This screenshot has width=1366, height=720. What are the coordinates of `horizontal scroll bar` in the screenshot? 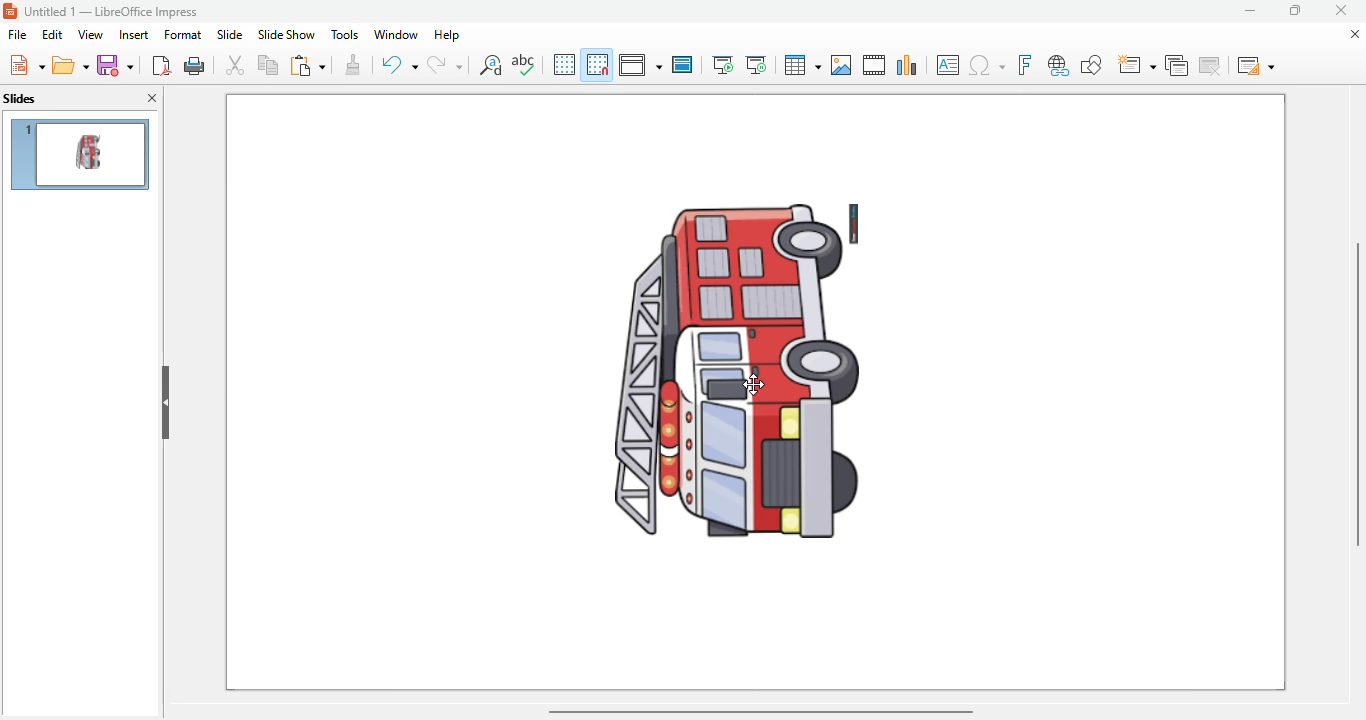 It's located at (762, 712).